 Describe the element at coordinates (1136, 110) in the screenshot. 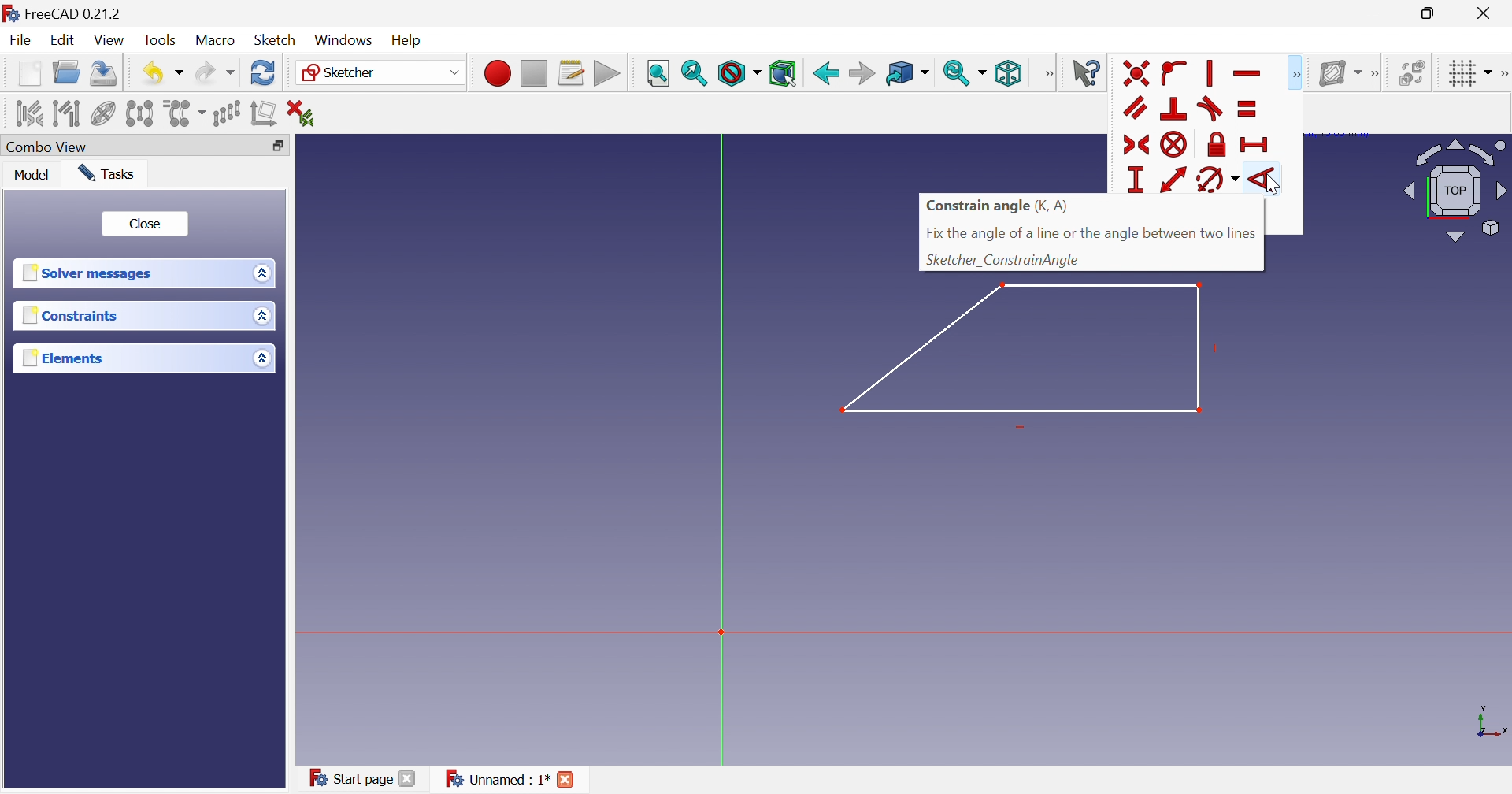

I see `Constraint parallel` at that location.